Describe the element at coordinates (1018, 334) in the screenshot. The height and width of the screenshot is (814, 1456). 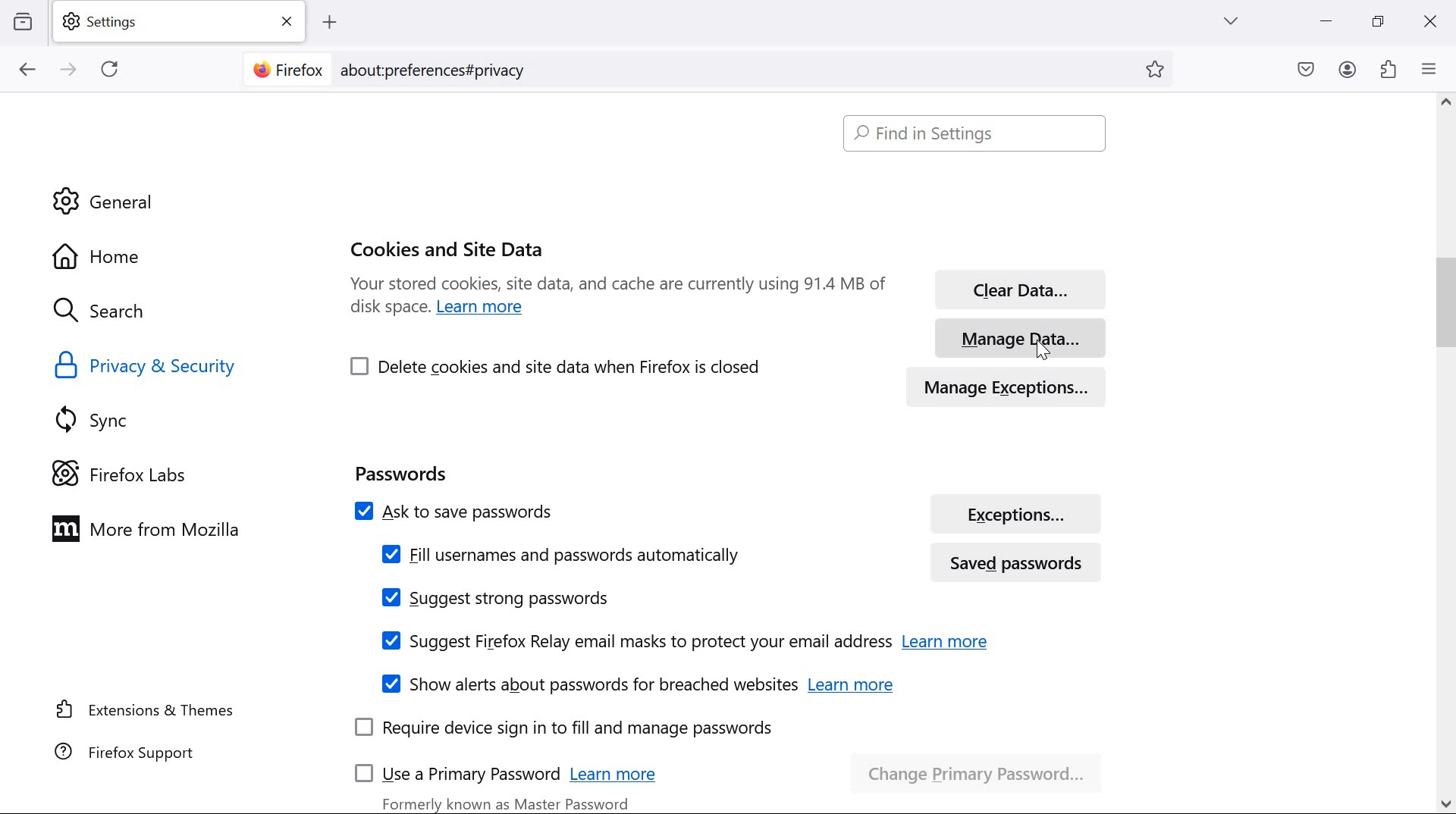
I see `Manage Data...` at that location.